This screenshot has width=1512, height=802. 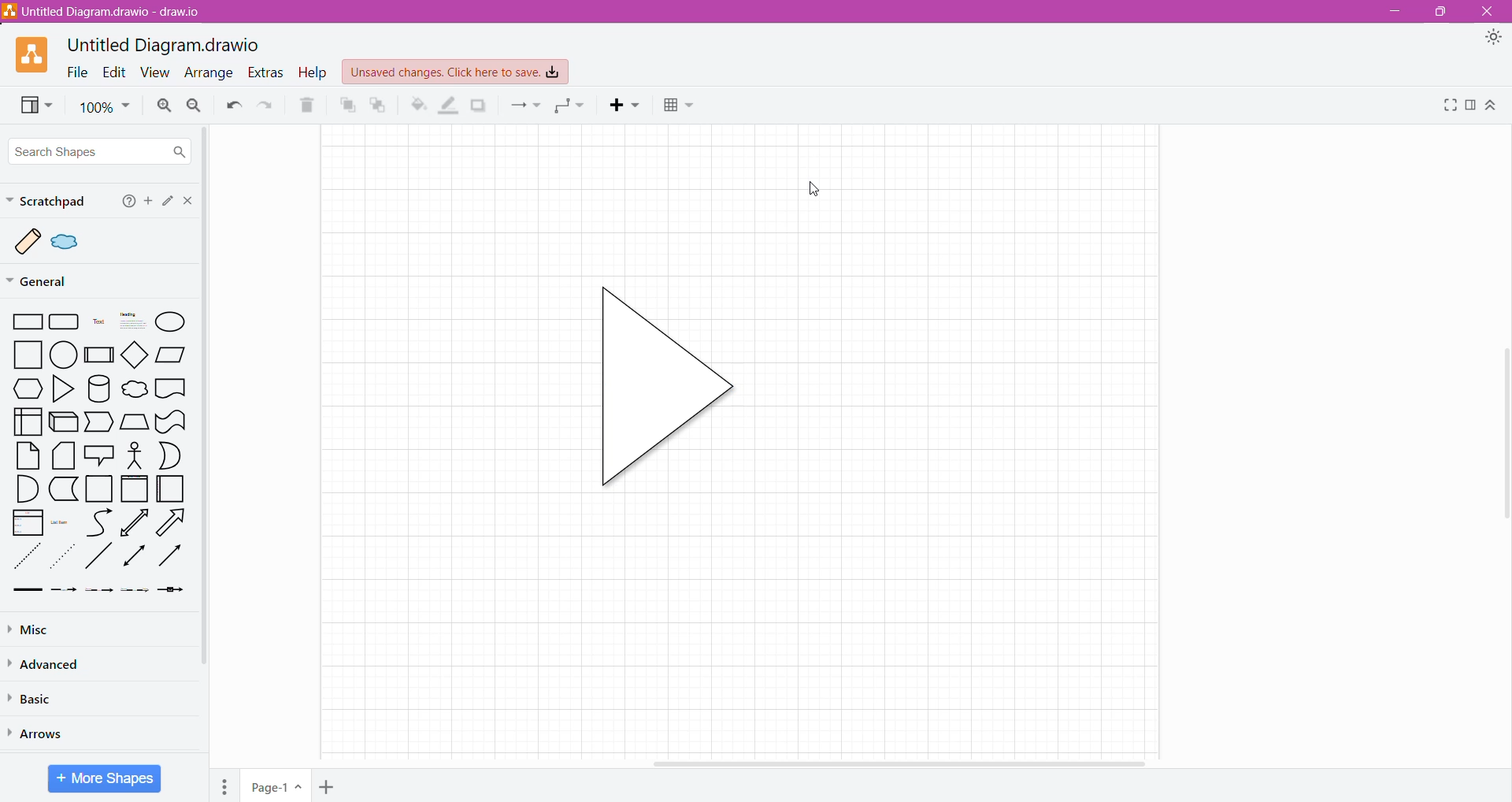 I want to click on Minimize, so click(x=1399, y=10).